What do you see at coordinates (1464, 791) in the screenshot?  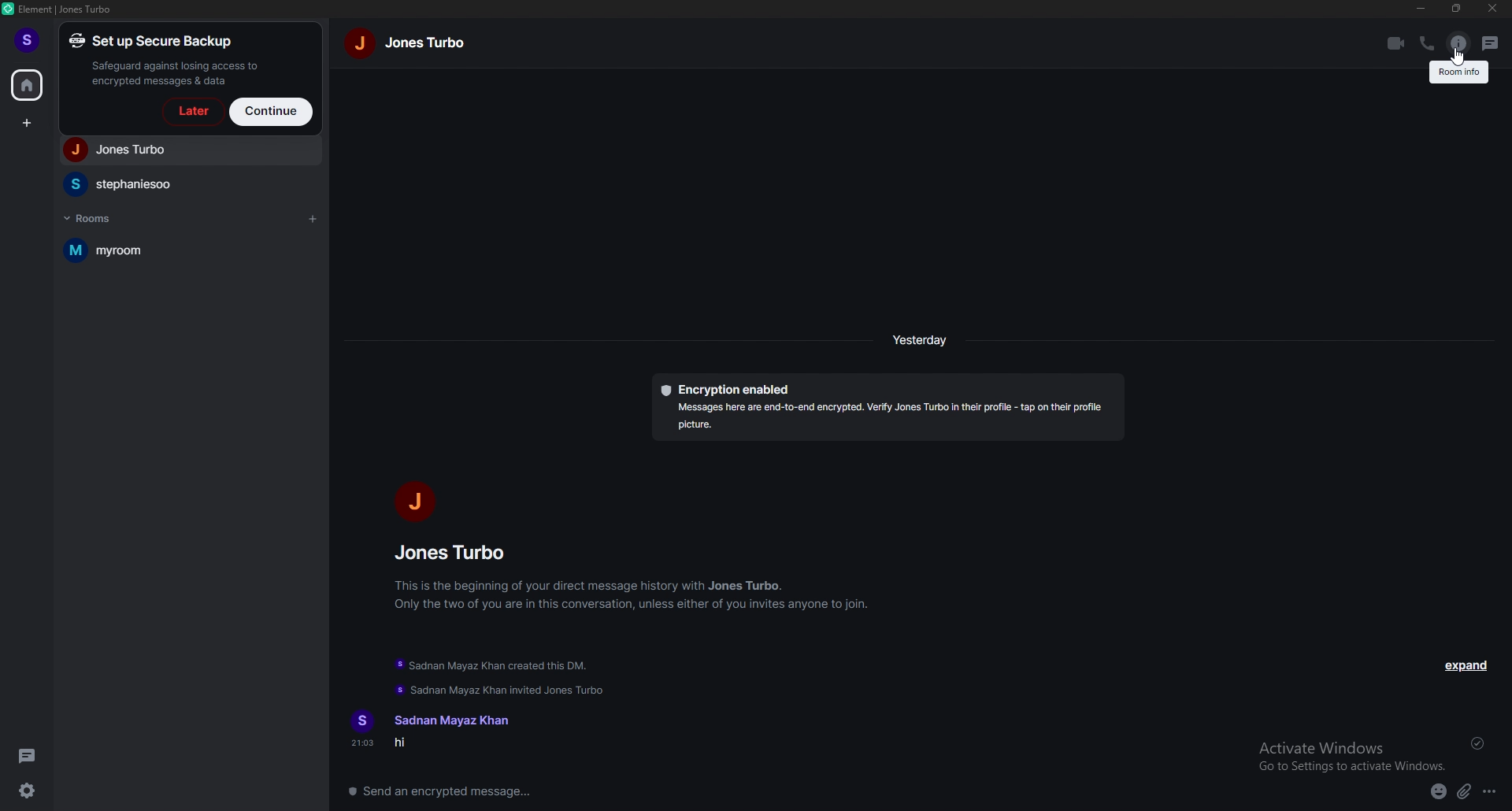 I see `attachment` at bounding box center [1464, 791].